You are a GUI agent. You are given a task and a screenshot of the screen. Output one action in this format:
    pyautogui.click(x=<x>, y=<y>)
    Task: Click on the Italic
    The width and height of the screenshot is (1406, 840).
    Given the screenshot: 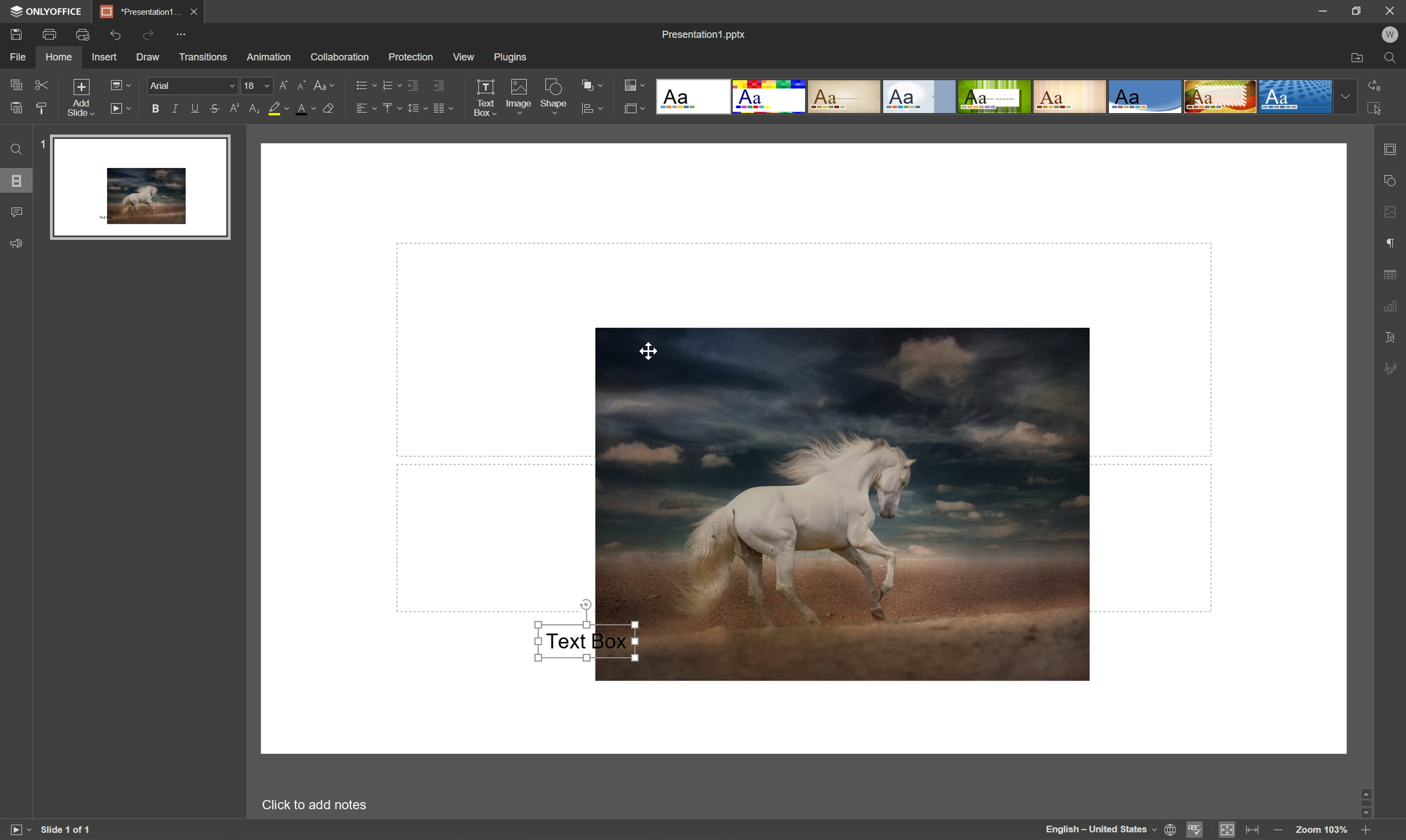 What is the action you would take?
    pyautogui.click(x=175, y=109)
    